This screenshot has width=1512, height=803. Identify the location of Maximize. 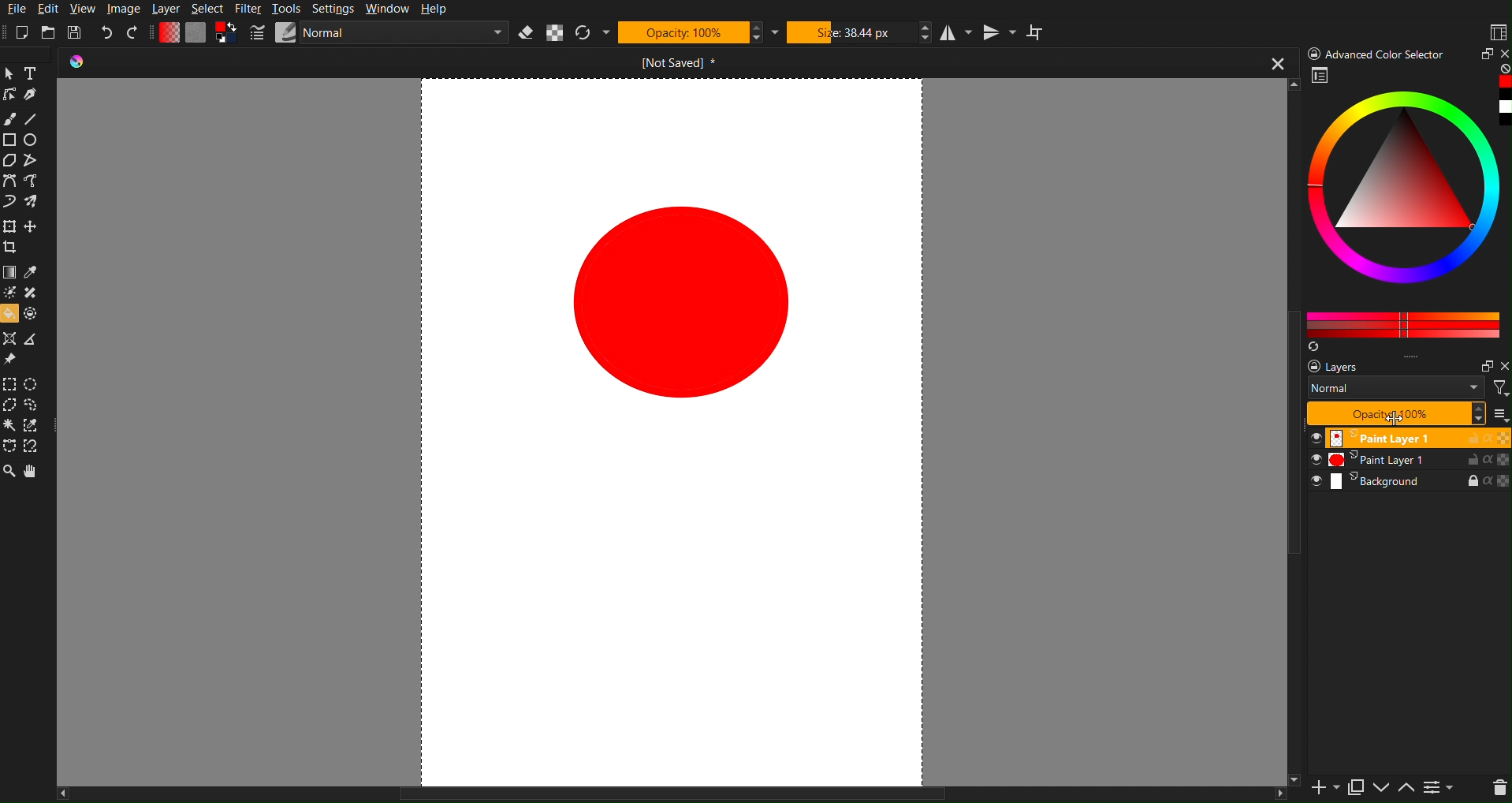
(1484, 54).